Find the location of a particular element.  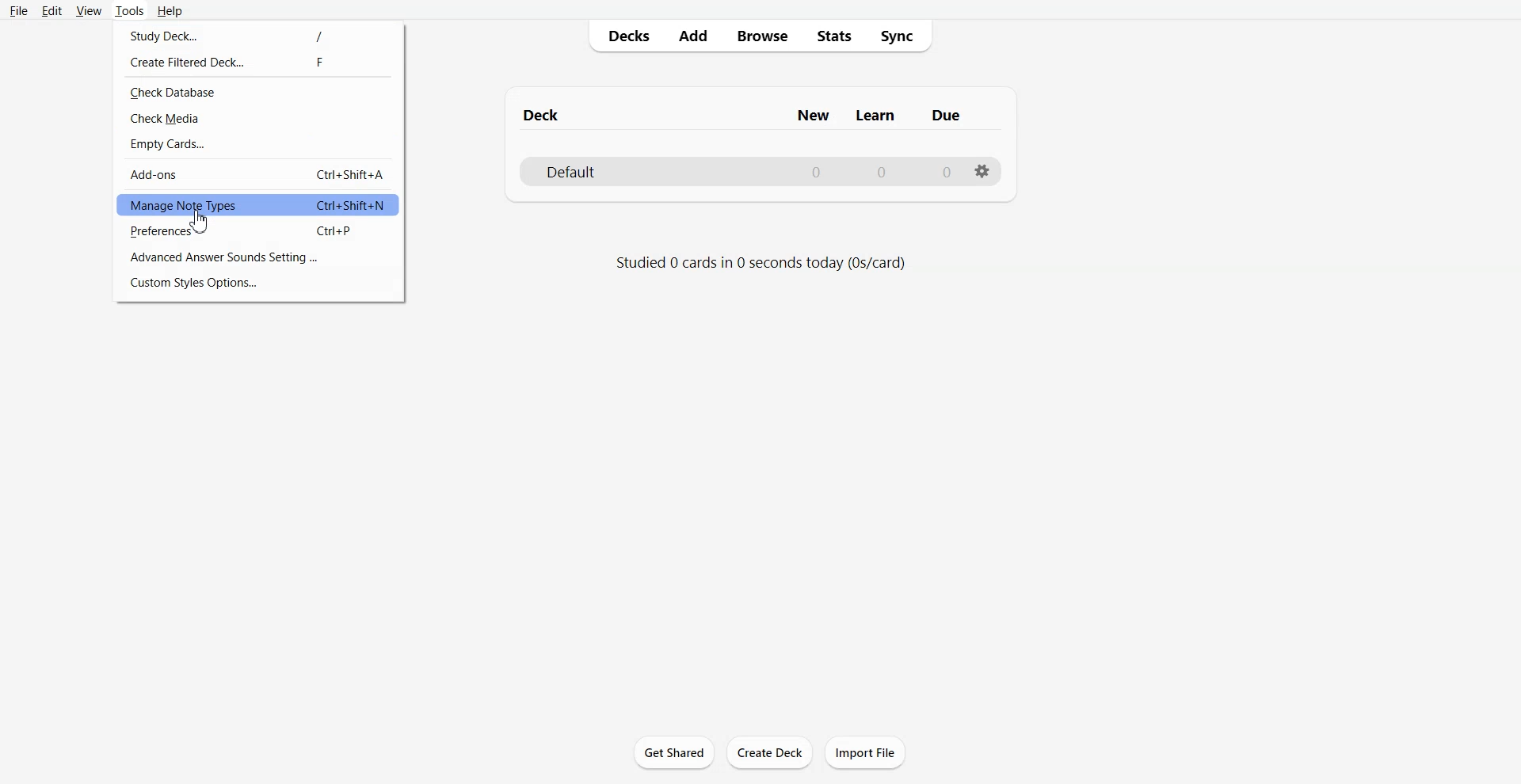

Decks is located at coordinates (623, 36).